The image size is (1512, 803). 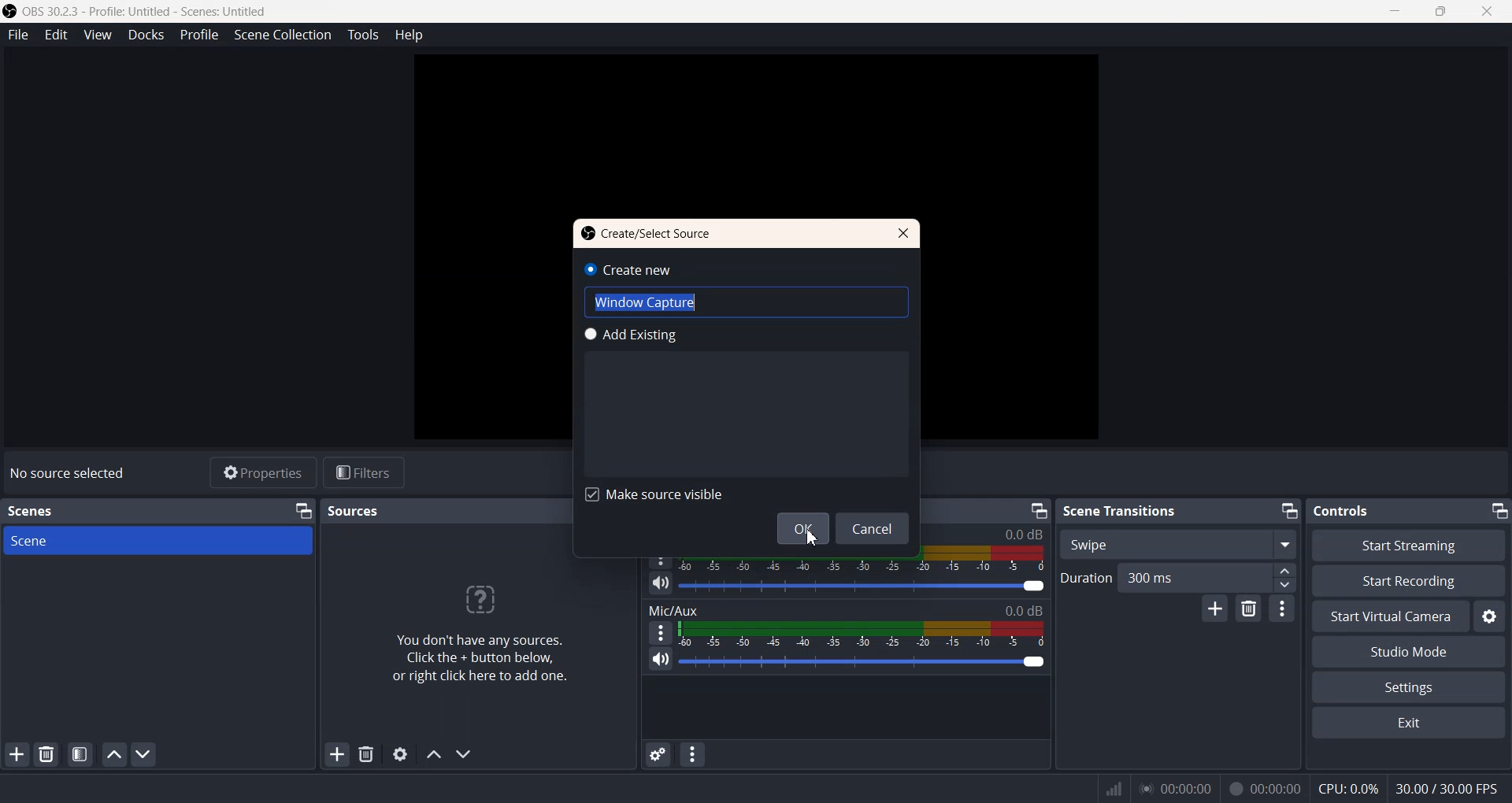 What do you see at coordinates (1347, 787) in the screenshot?
I see `CPU:0.3%` at bounding box center [1347, 787].